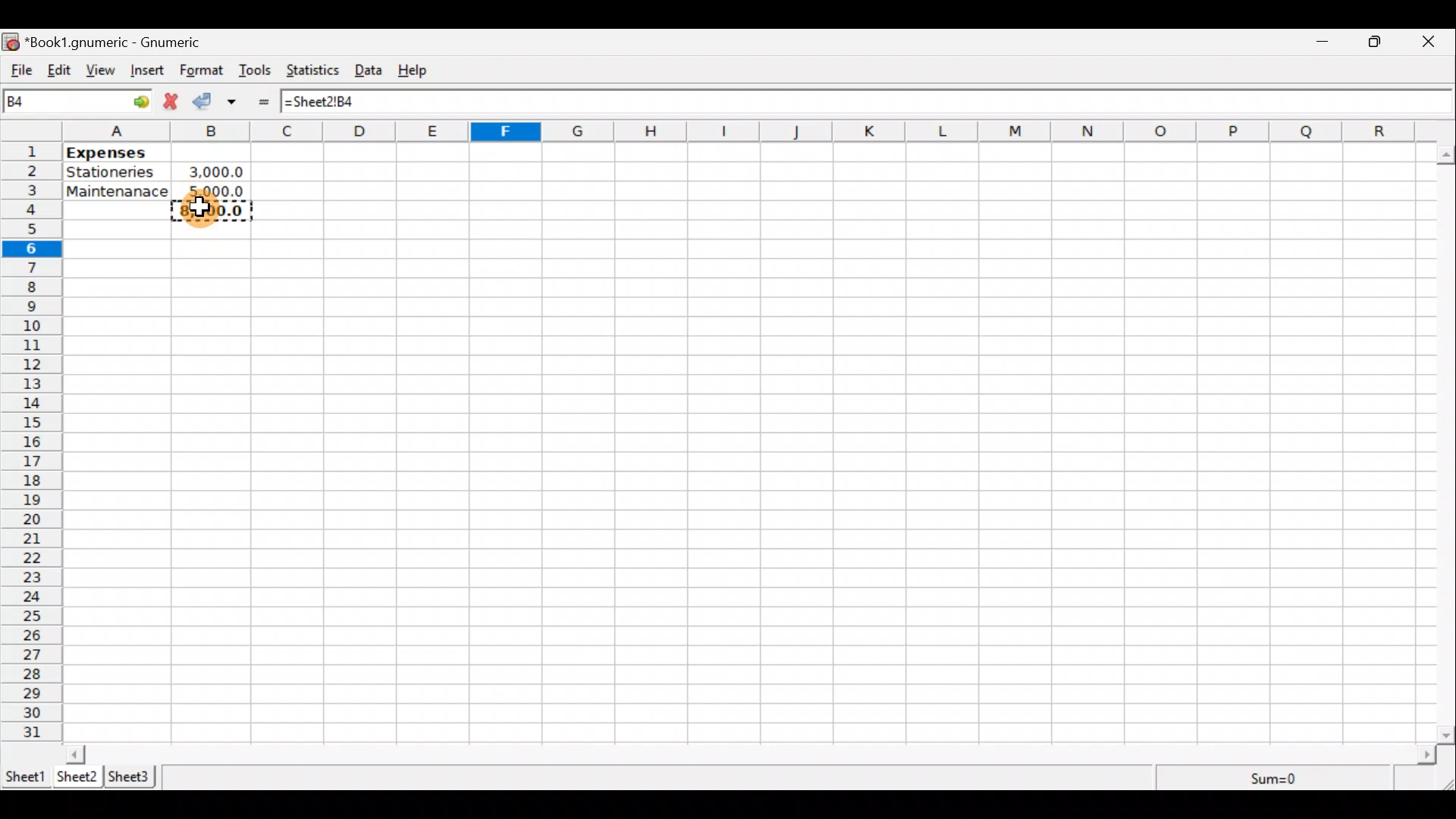  What do you see at coordinates (1447, 735) in the screenshot?
I see `scroll down` at bounding box center [1447, 735].